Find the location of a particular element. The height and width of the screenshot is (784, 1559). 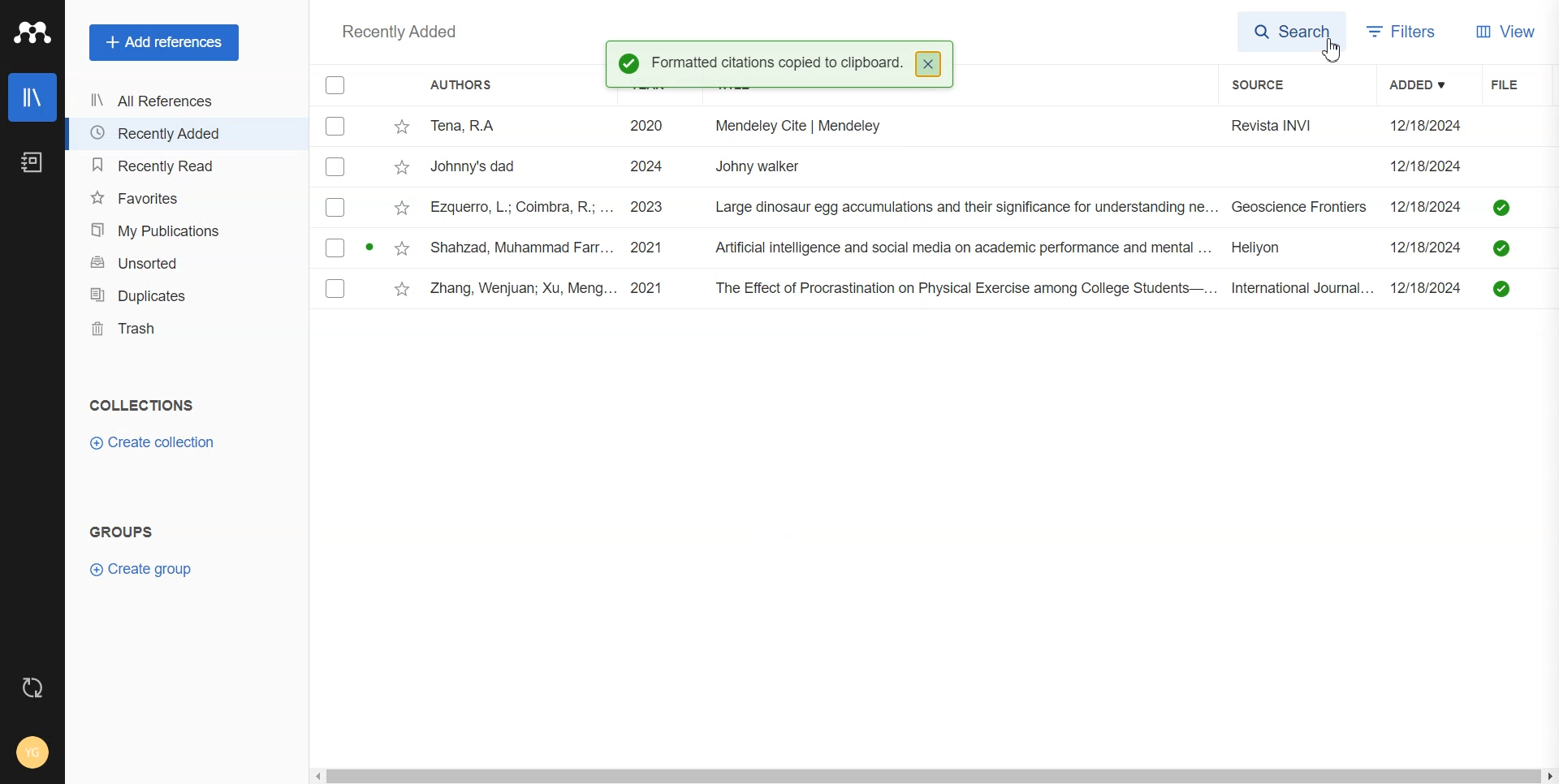

Horizontal scroll bar is located at coordinates (934, 777).